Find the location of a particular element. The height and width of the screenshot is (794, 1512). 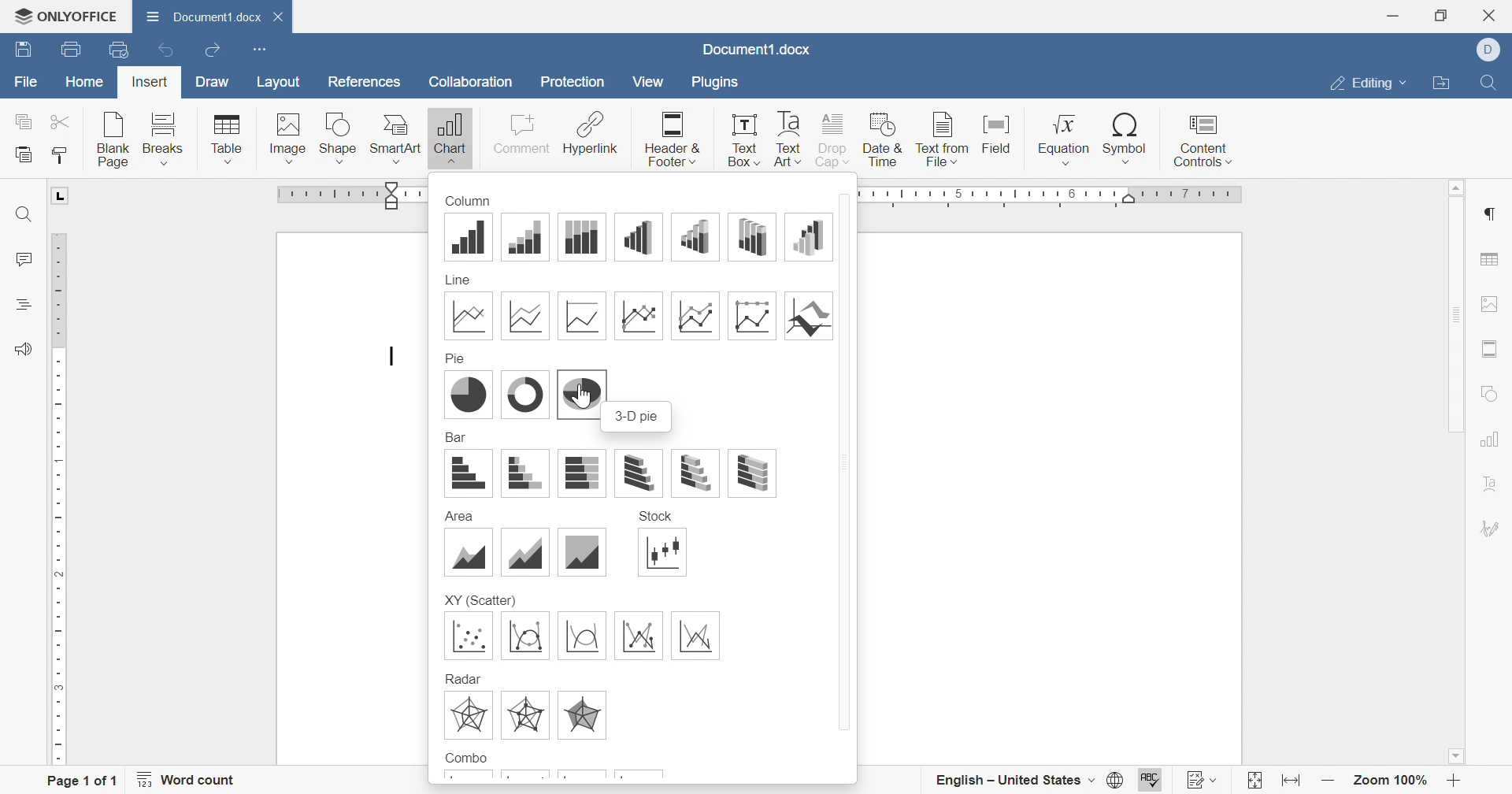

Lines is located at coordinates (470, 316).